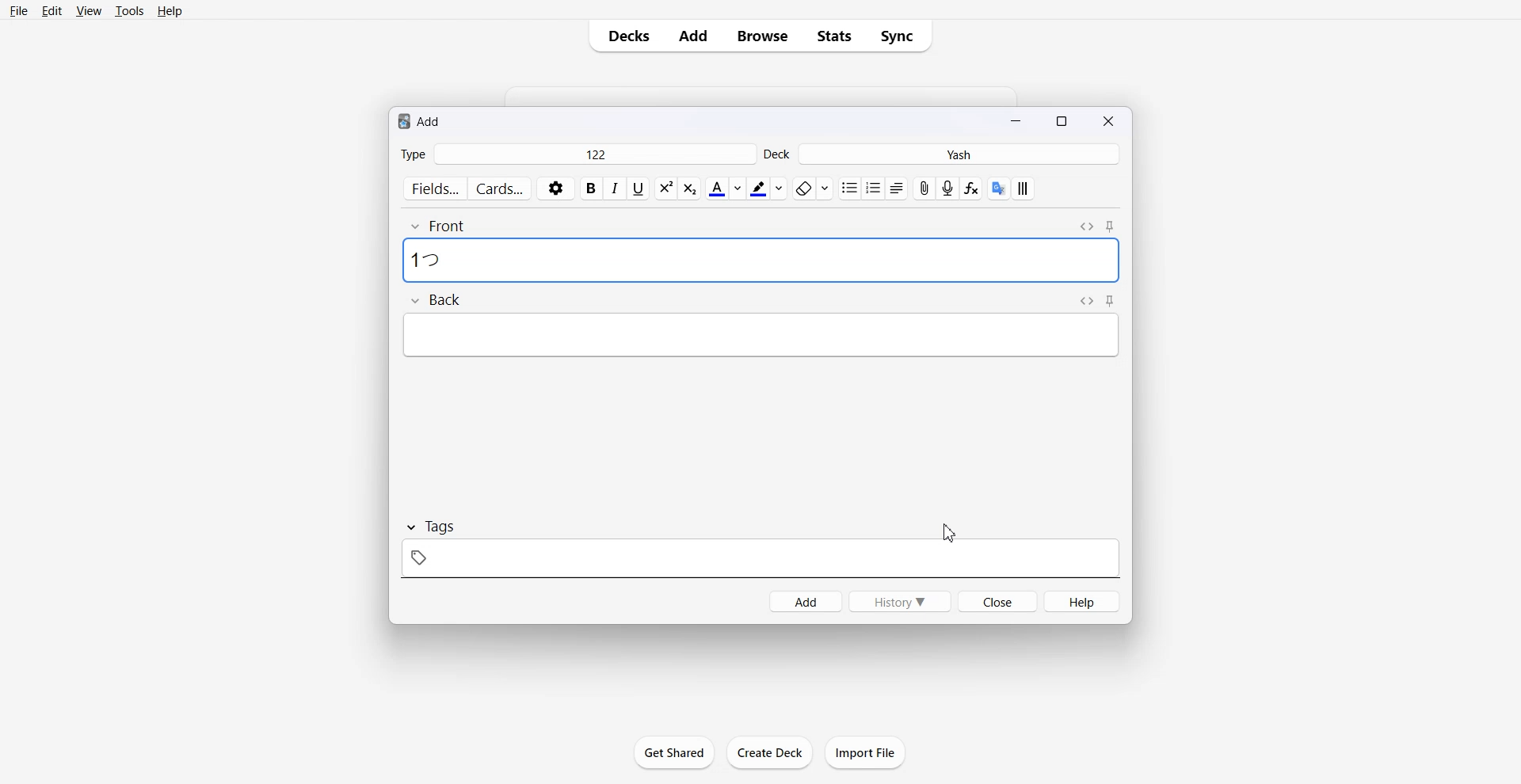 Image resolution: width=1521 pixels, height=784 pixels. I want to click on Text color, so click(724, 188).